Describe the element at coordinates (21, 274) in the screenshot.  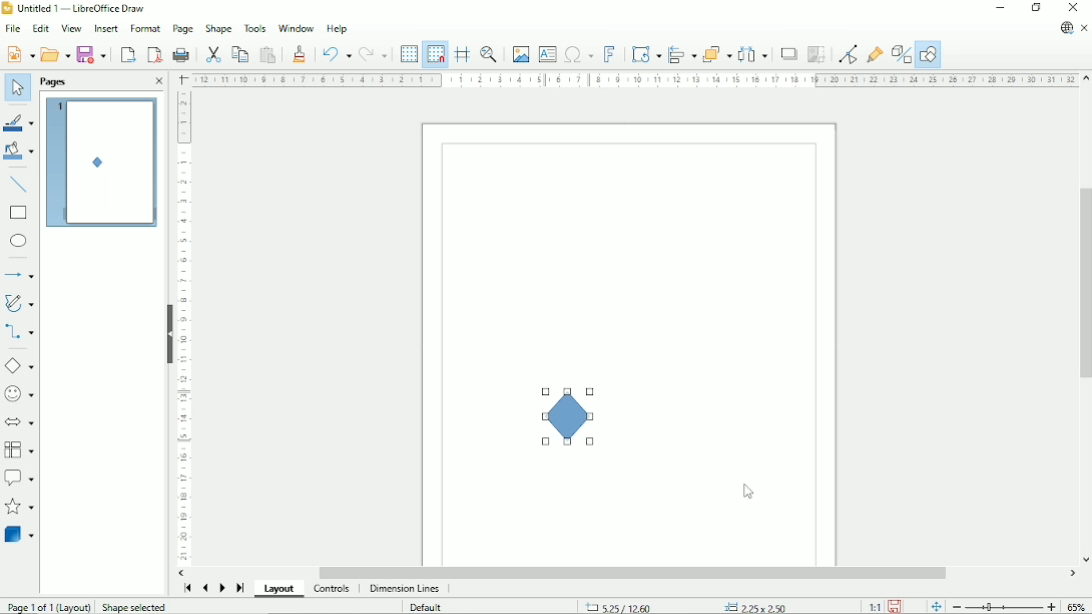
I see `Lines and arrows` at that location.